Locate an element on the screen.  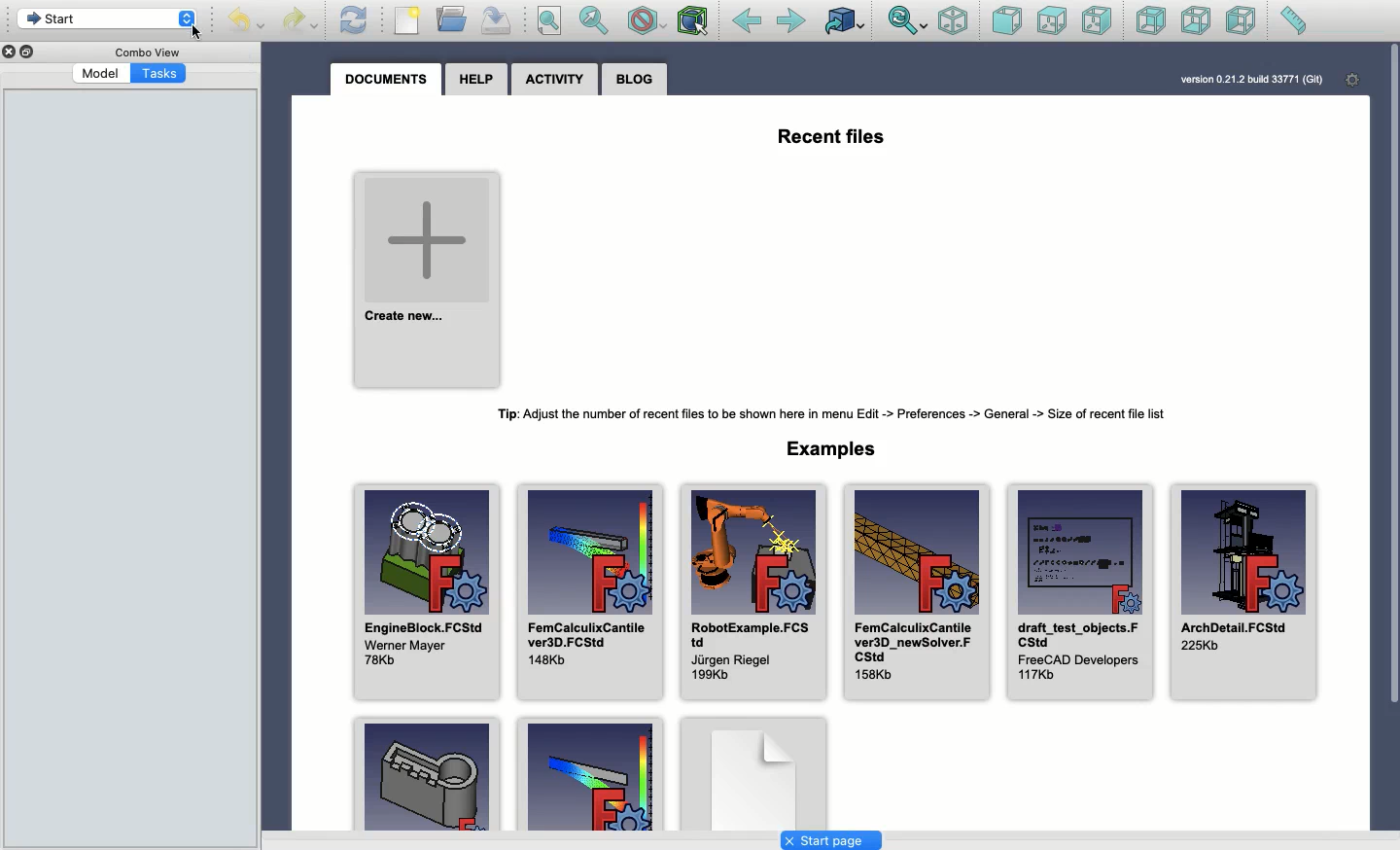
Model is located at coordinates (100, 74).